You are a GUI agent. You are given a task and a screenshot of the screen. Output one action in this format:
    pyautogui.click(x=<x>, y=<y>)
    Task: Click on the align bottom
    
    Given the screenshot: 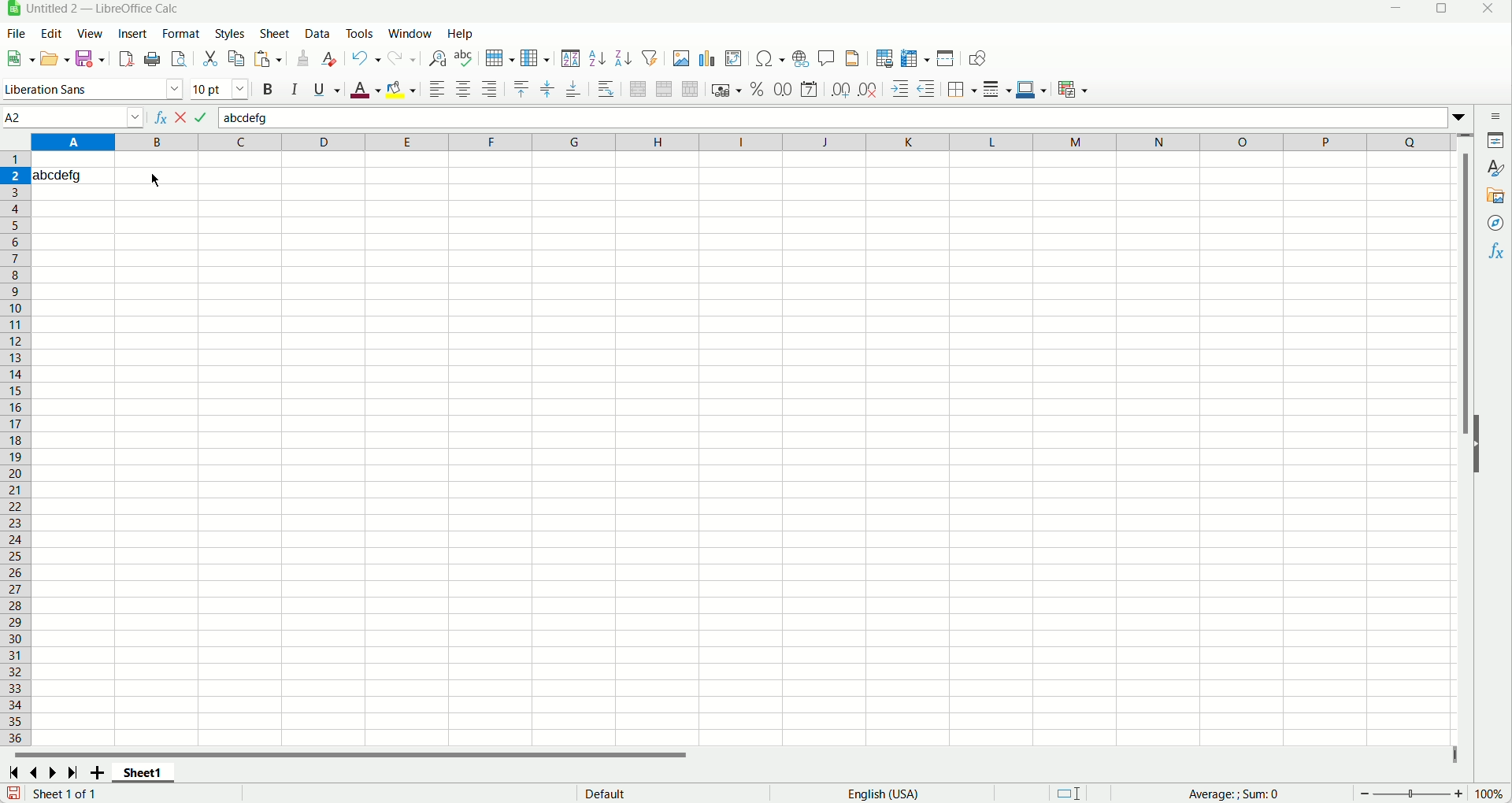 What is the action you would take?
    pyautogui.click(x=573, y=89)
    